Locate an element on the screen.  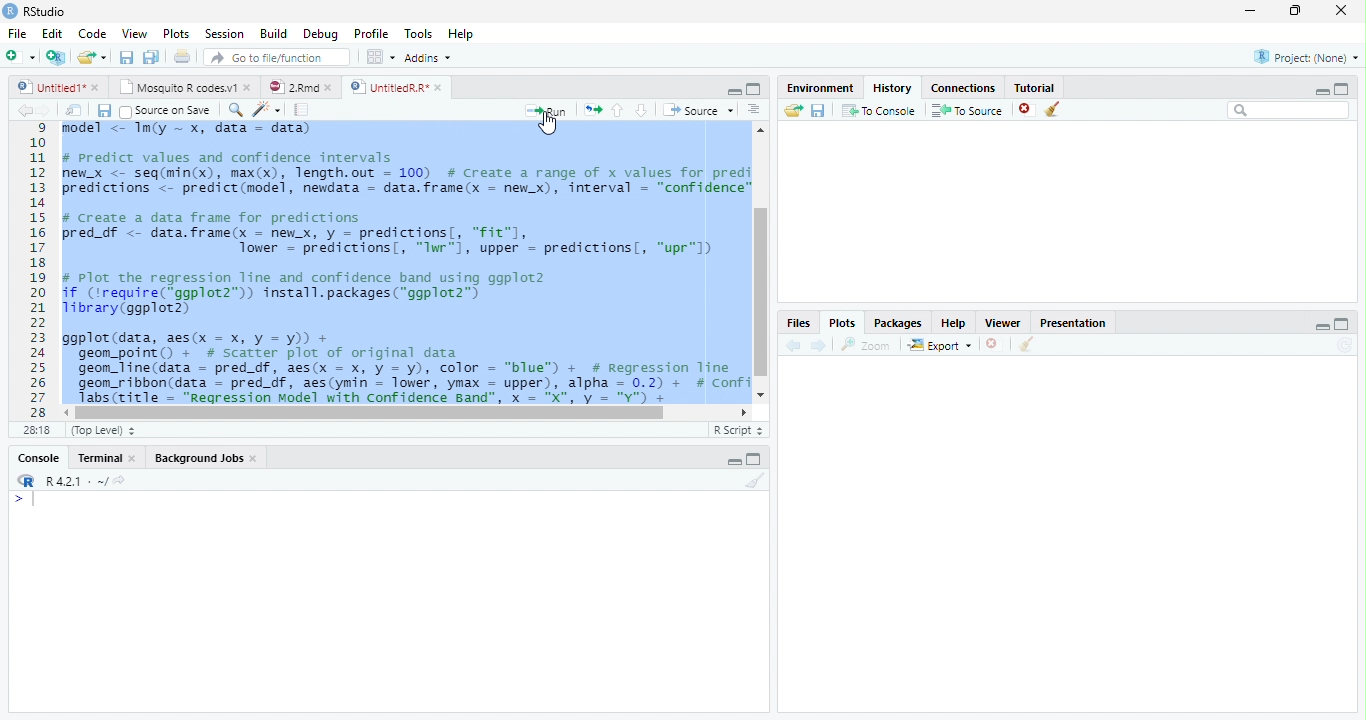
R studio is located at coordinates (38, 11).